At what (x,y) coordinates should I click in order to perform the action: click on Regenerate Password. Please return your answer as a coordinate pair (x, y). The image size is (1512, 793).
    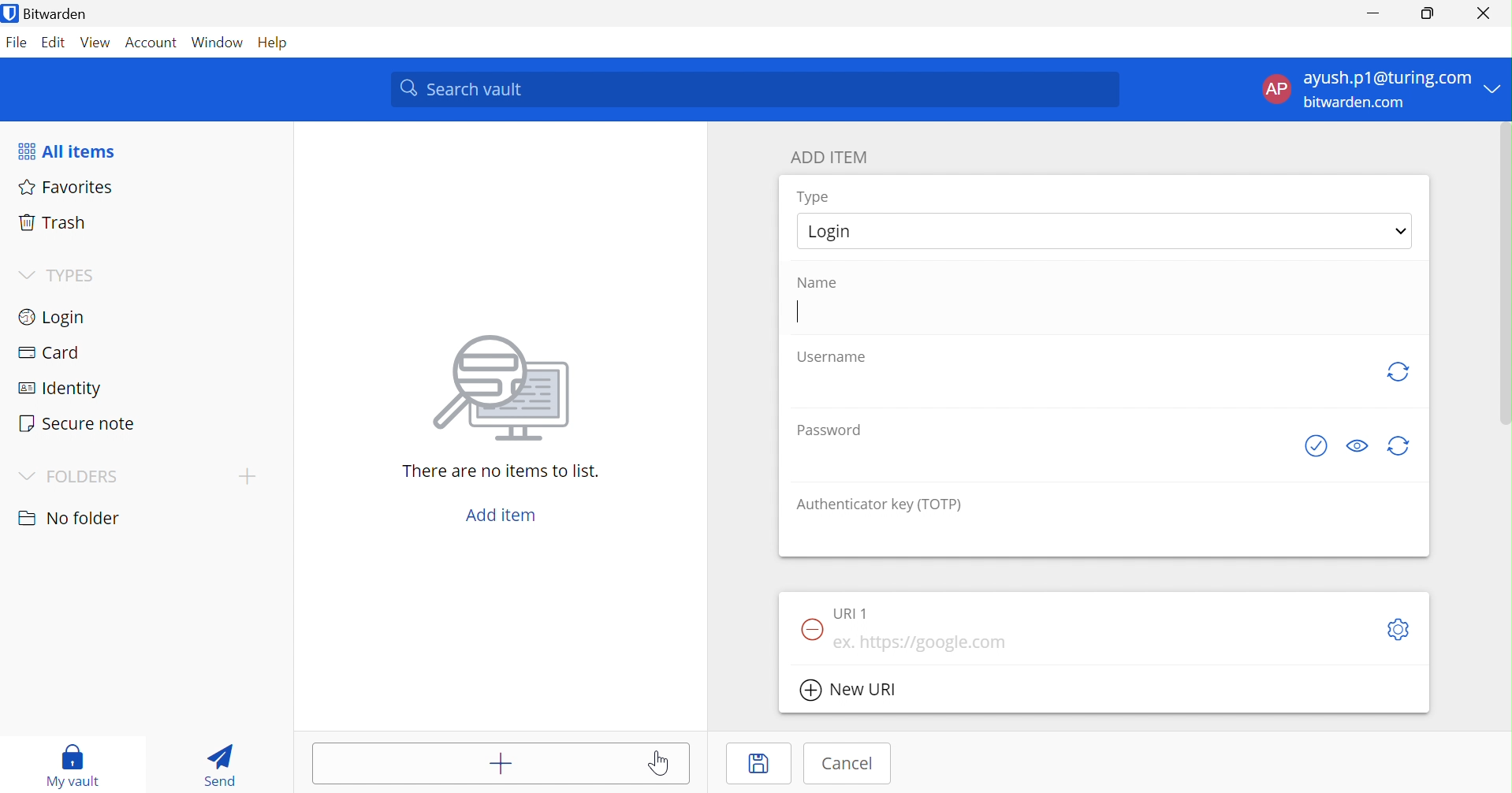
    Looking at the image, I should click on (1399, 446).